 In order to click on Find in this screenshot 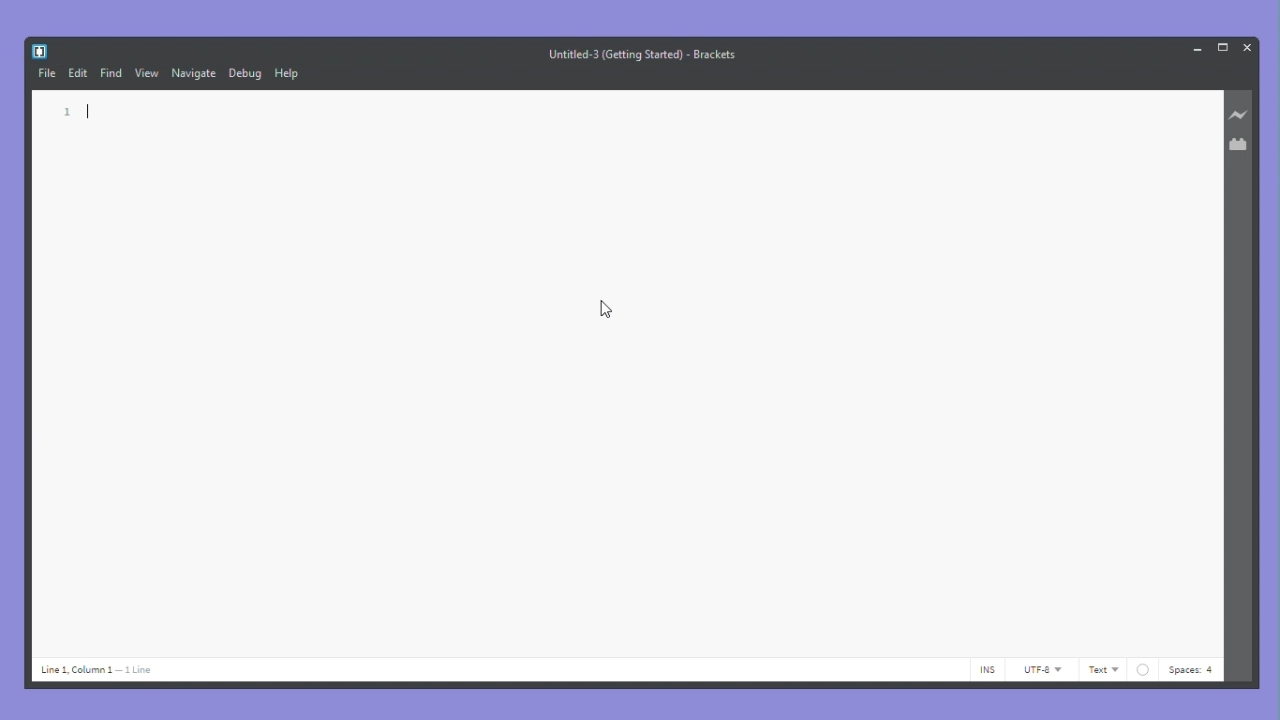, I will do `click(112, 75)`.